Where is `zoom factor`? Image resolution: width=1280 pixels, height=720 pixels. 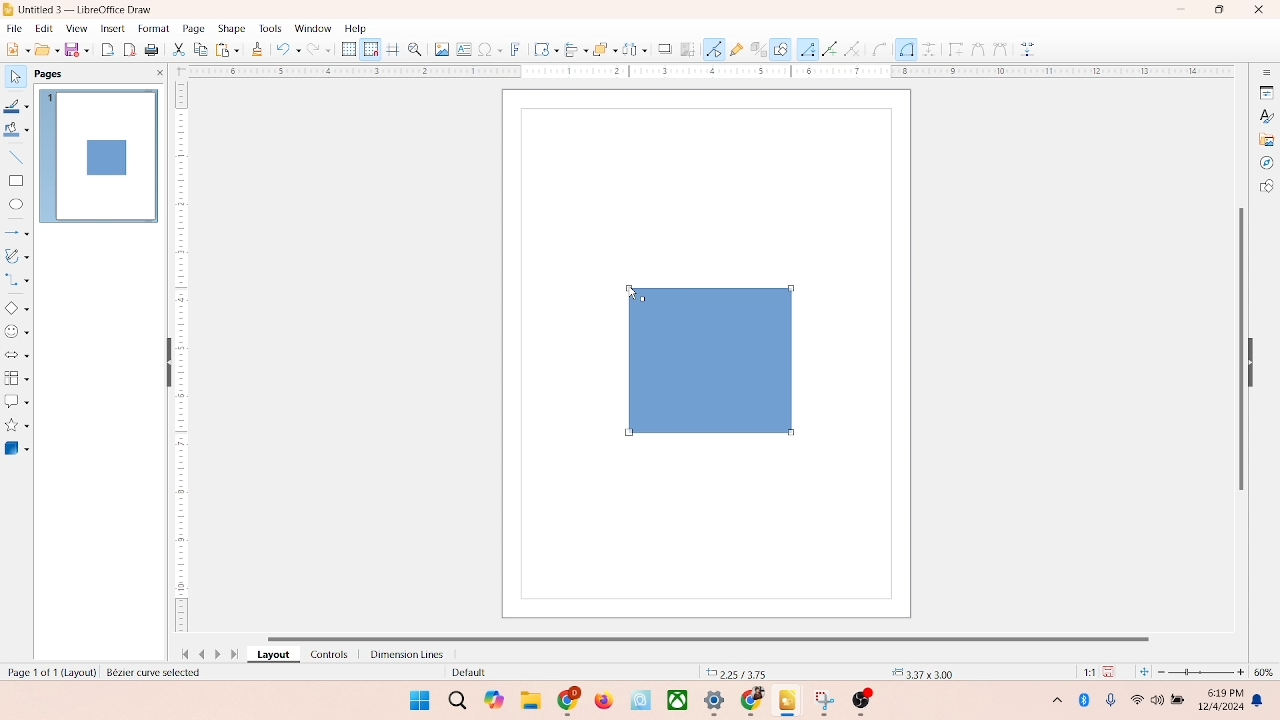
zoom factor is located at coordinates (1202, 672).